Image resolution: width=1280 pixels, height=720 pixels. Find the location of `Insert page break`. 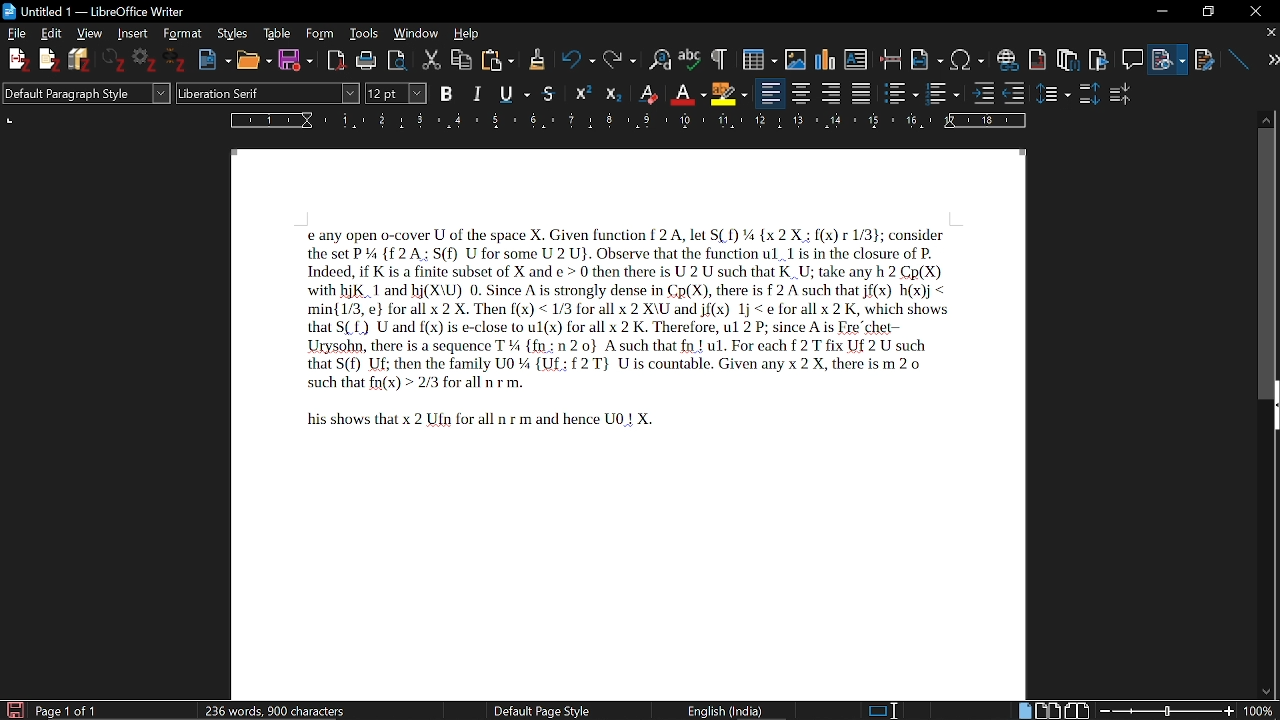

Insert page break is located at coordinates (891, 56).